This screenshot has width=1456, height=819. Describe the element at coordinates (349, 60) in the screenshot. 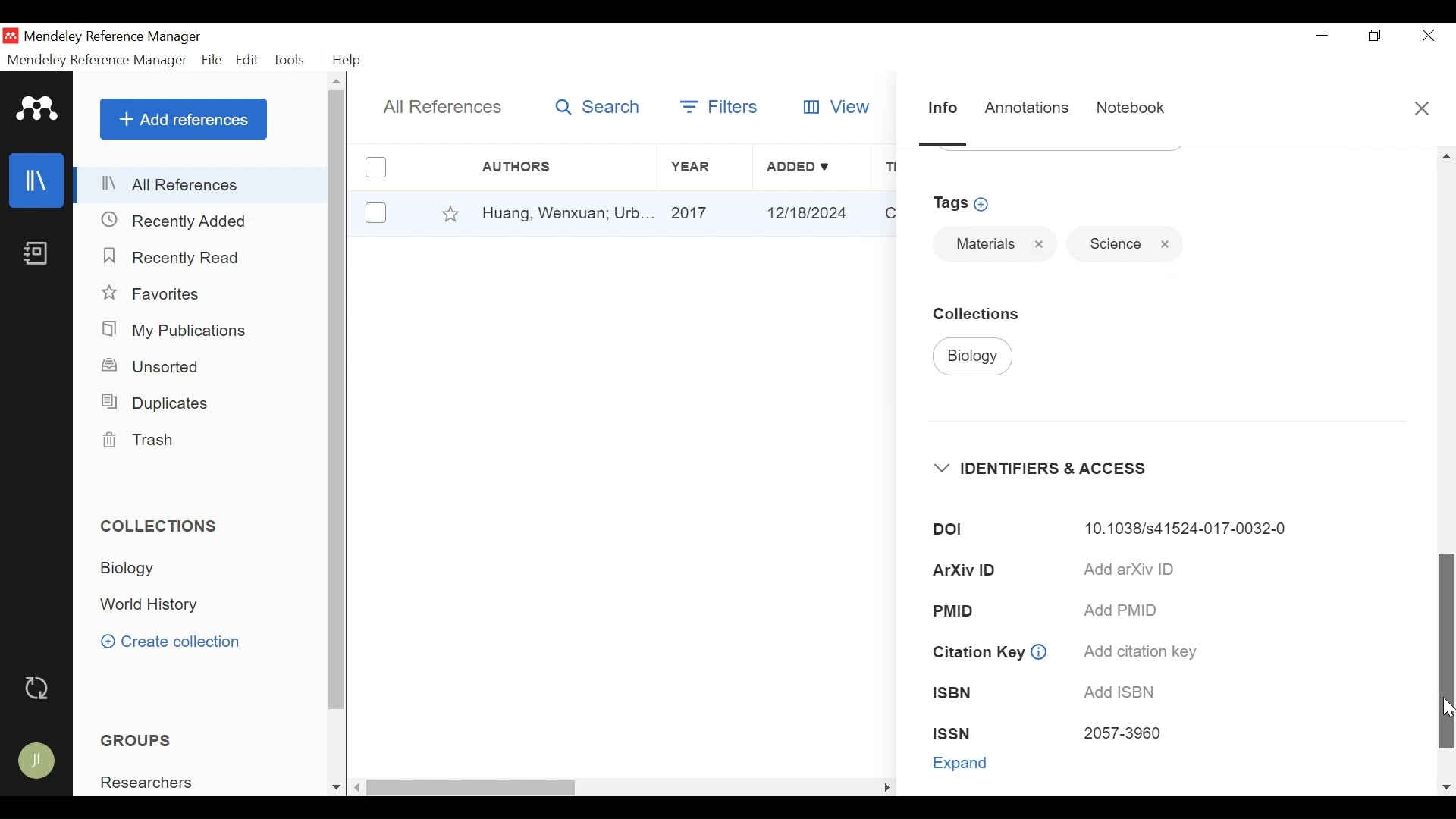

I see `Help` at that location.